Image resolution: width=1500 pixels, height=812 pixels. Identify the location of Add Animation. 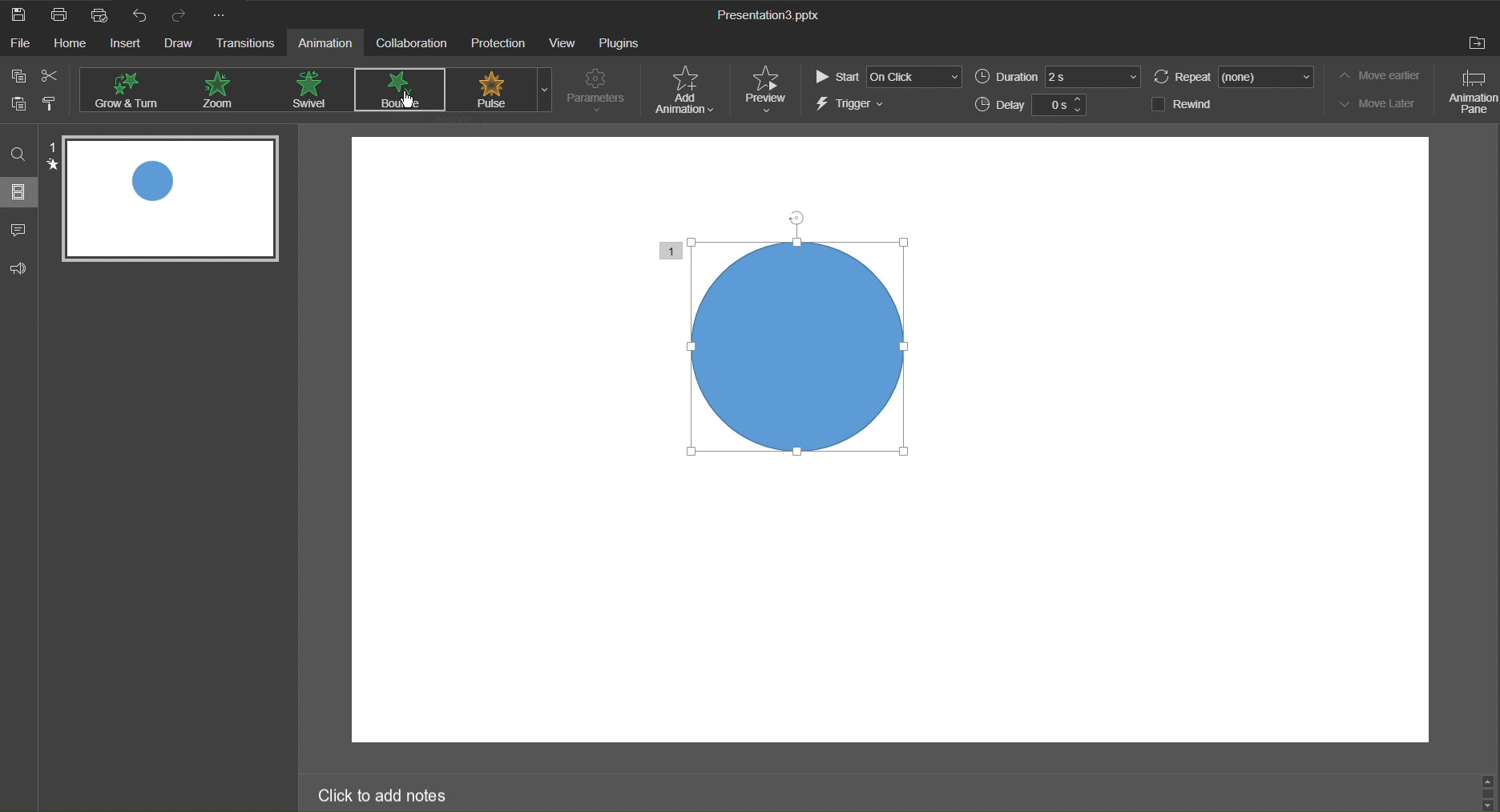
(687, 91).